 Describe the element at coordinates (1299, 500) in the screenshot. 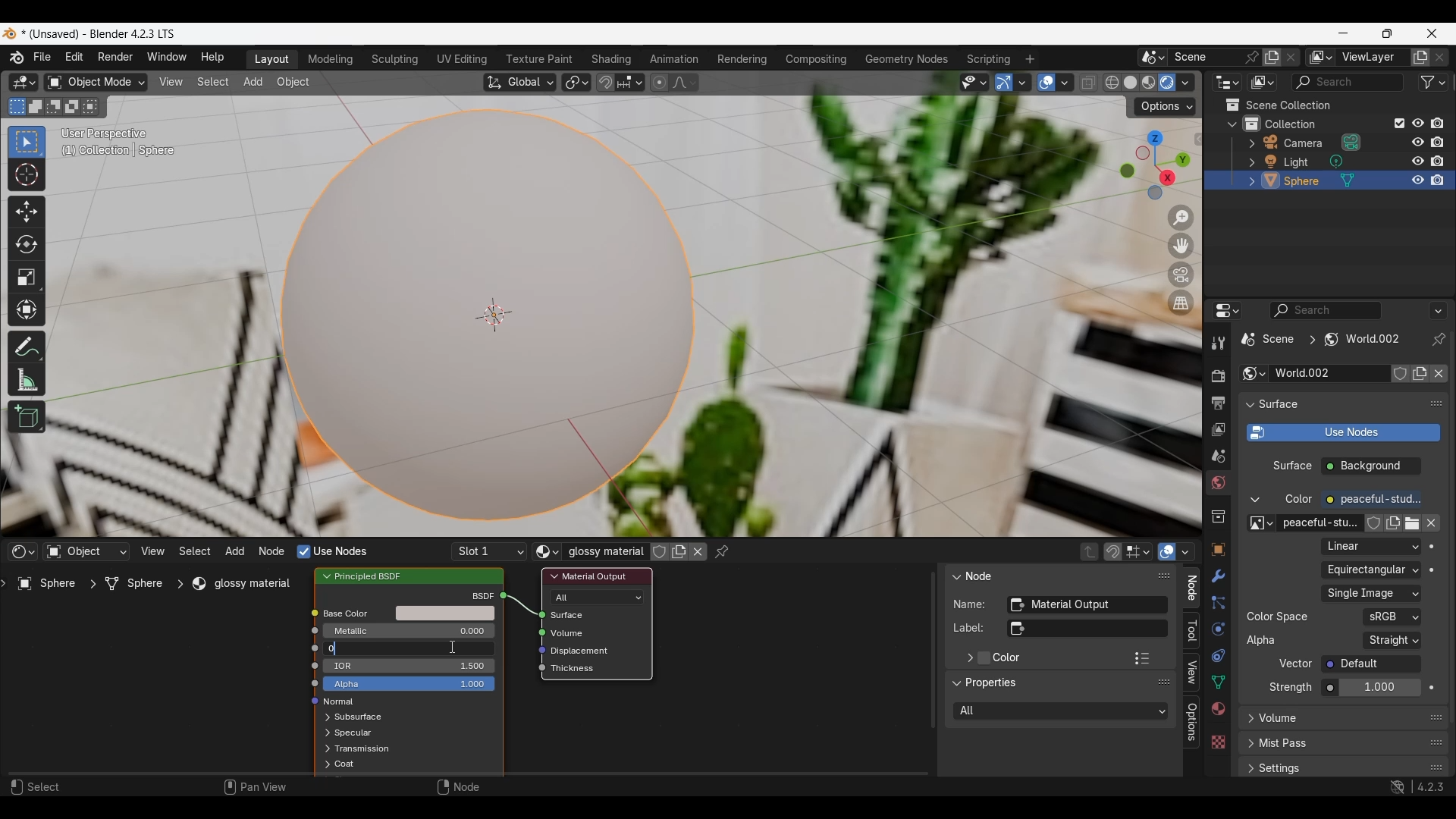

I see `color` at that location.